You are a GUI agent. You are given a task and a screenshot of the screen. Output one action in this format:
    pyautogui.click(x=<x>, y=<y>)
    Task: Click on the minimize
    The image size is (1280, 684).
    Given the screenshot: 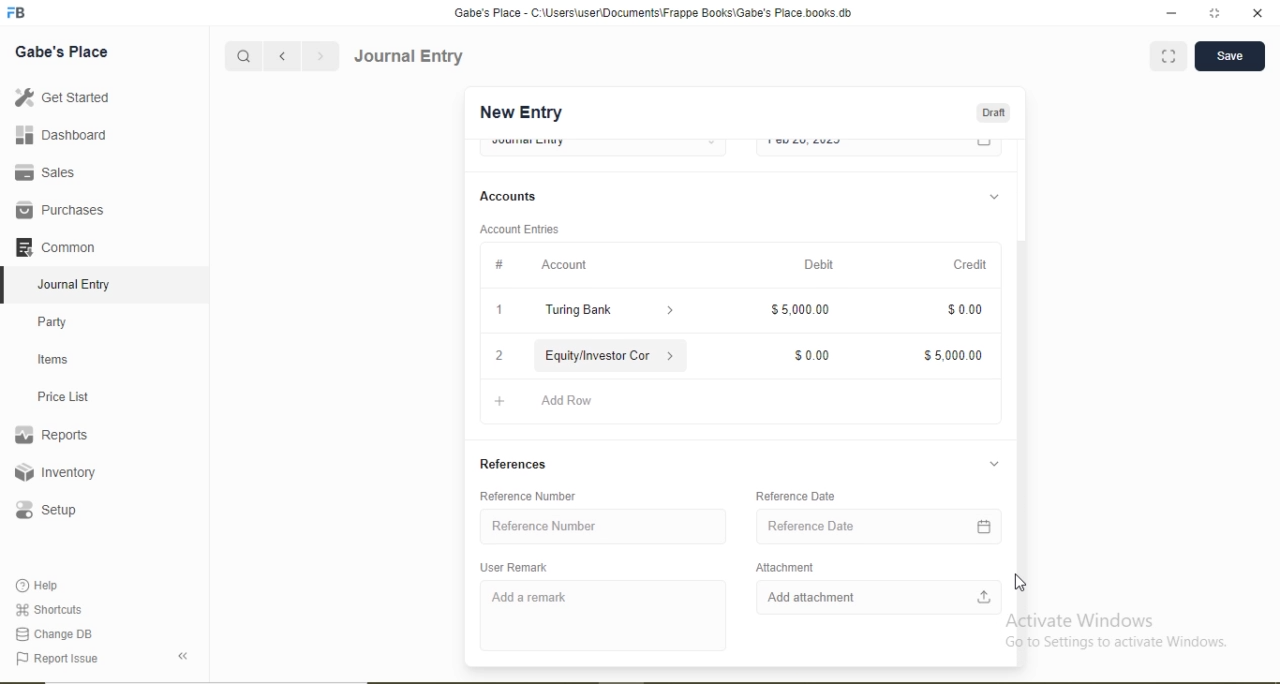 What is the action you would take?
    pyautogui.click(x=1169, y=14)
    